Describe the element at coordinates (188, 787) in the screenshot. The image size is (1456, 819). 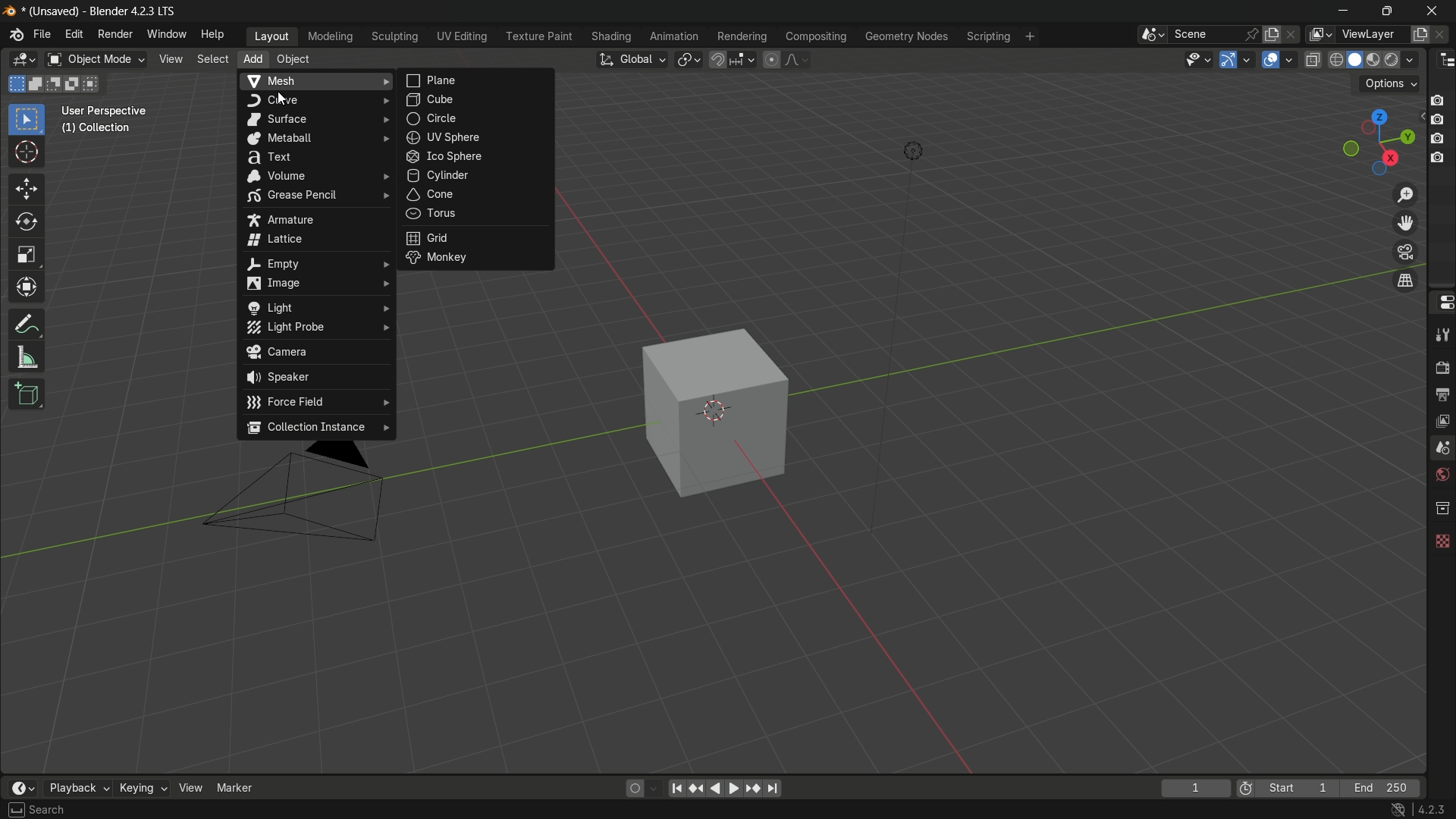
I see `view` at that location.